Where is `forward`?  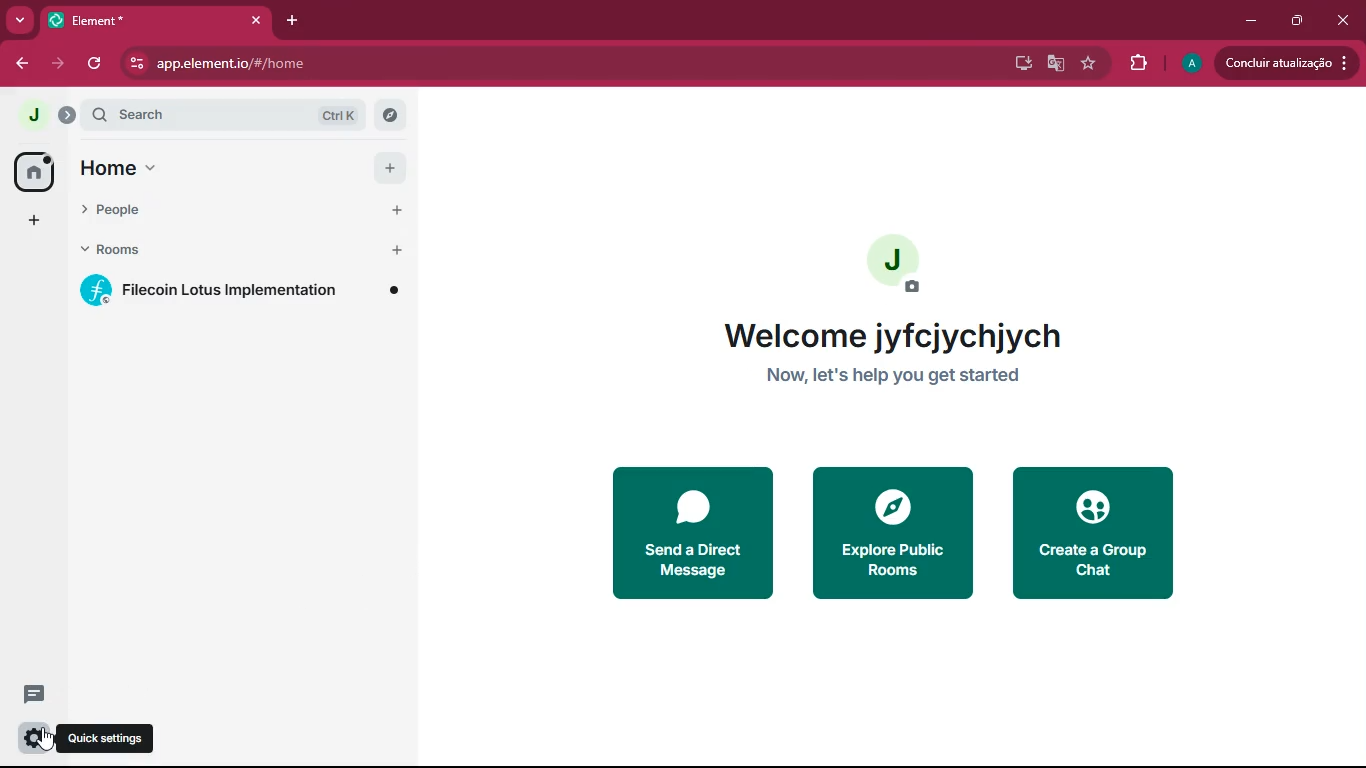
forward is located at coordinates (56, 64).